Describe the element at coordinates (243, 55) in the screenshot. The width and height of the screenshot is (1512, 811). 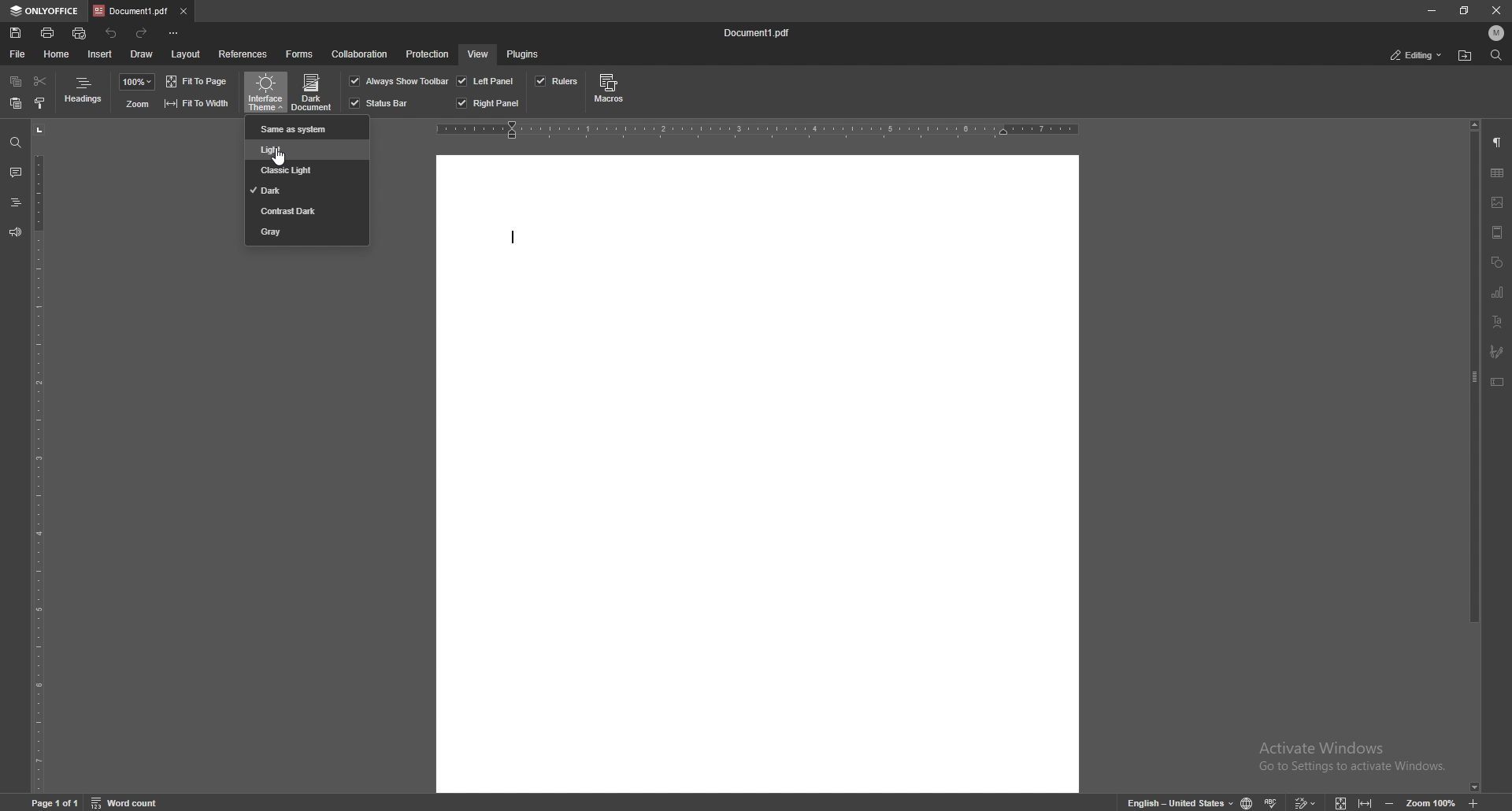
I see `references` at that location.